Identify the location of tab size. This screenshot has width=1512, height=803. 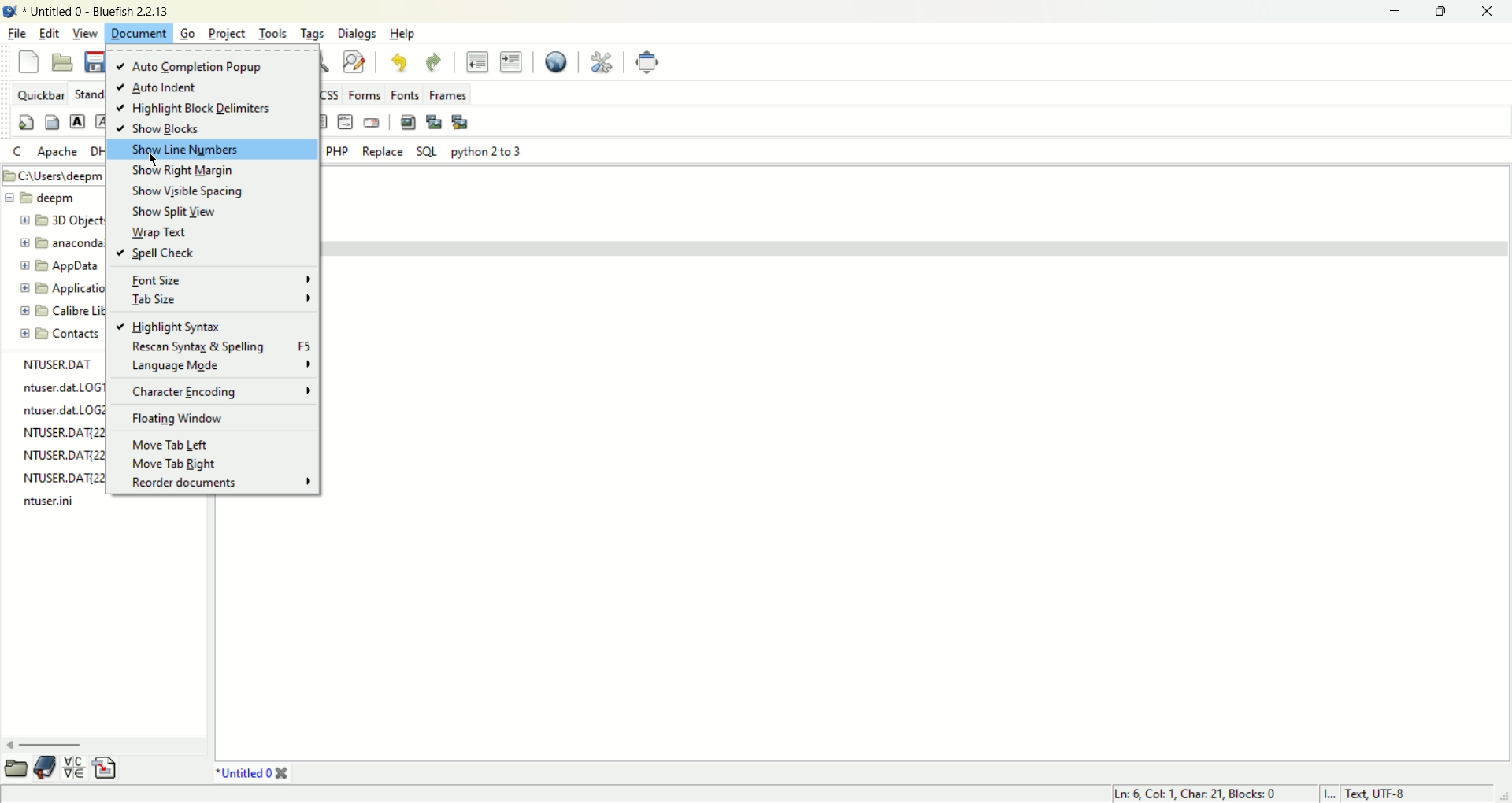
(224, 301).